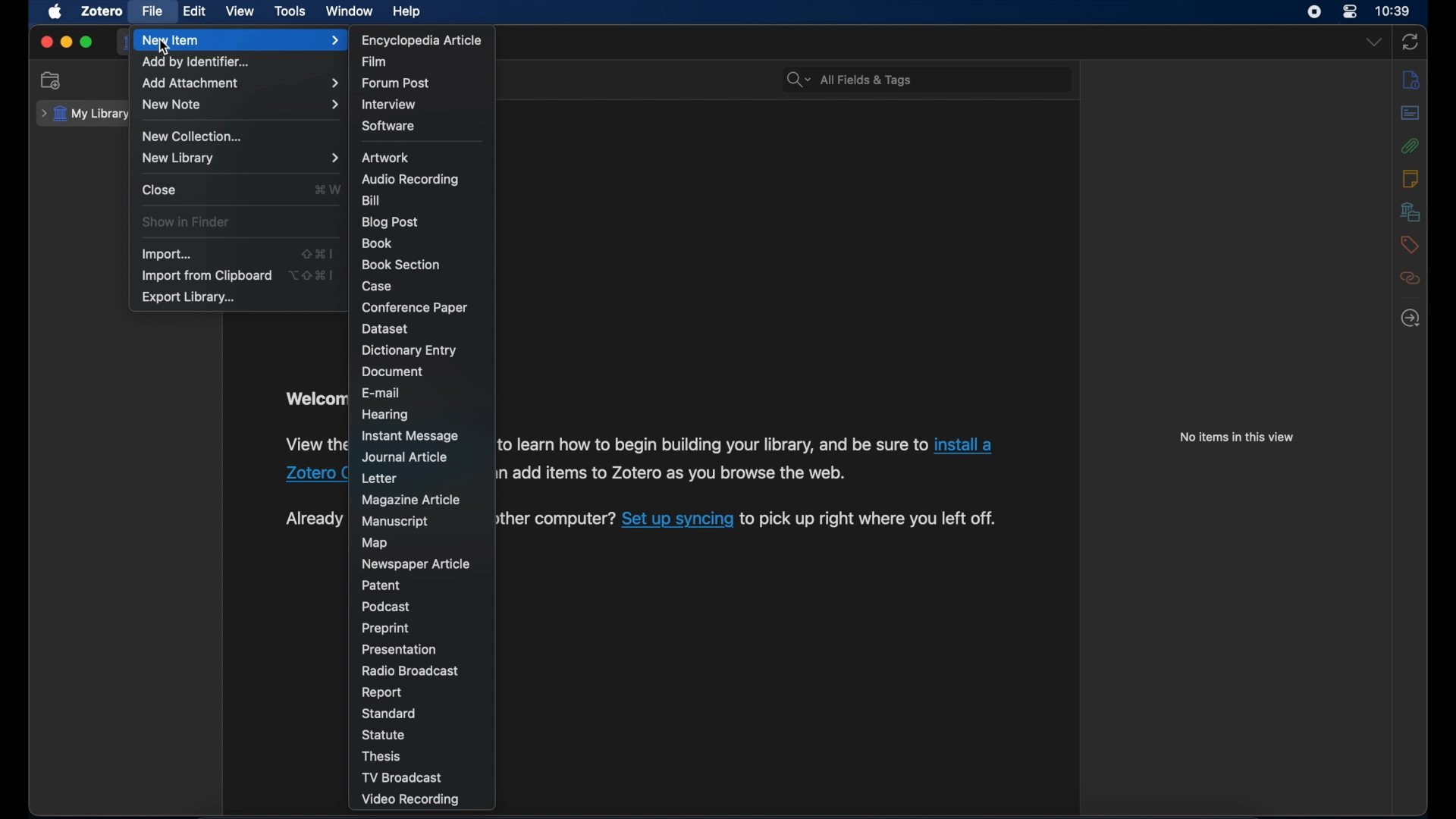 The image size is (1456, 819). I want to click on welcome to zotero, so click(313, 400).